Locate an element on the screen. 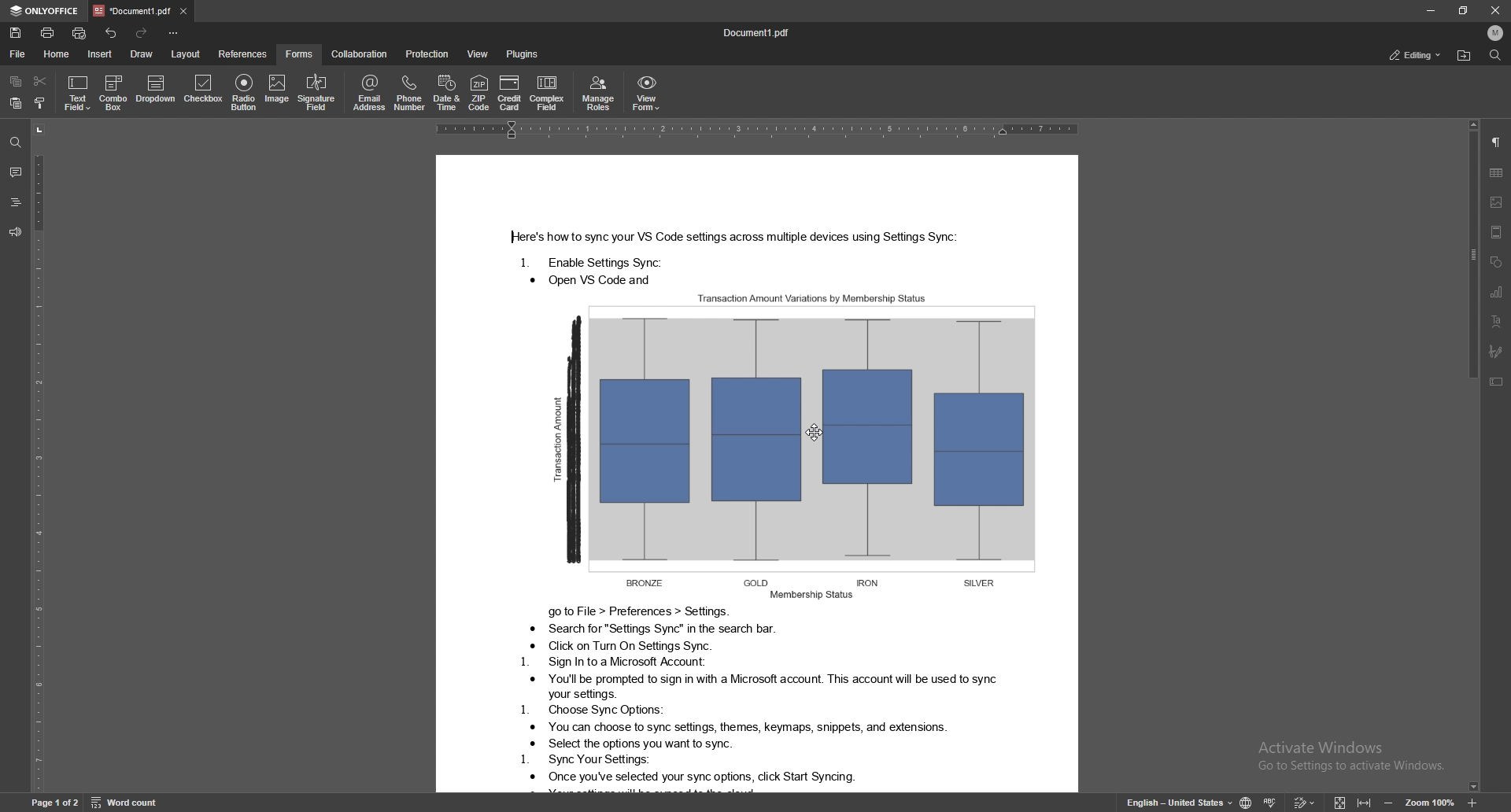 The image size is (1511, 812). insert is located at coordinates (100, 54).